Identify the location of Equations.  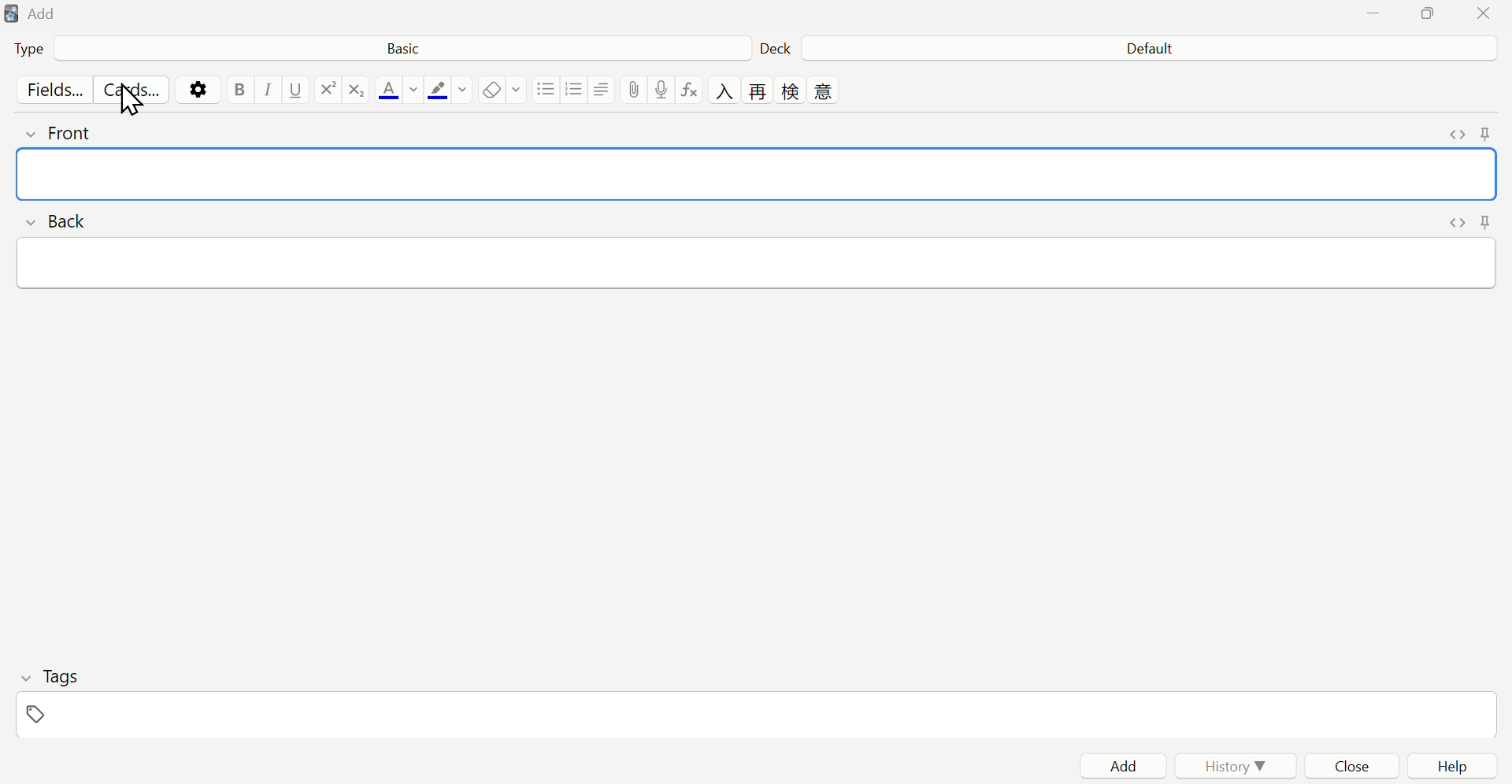
(691, 90).